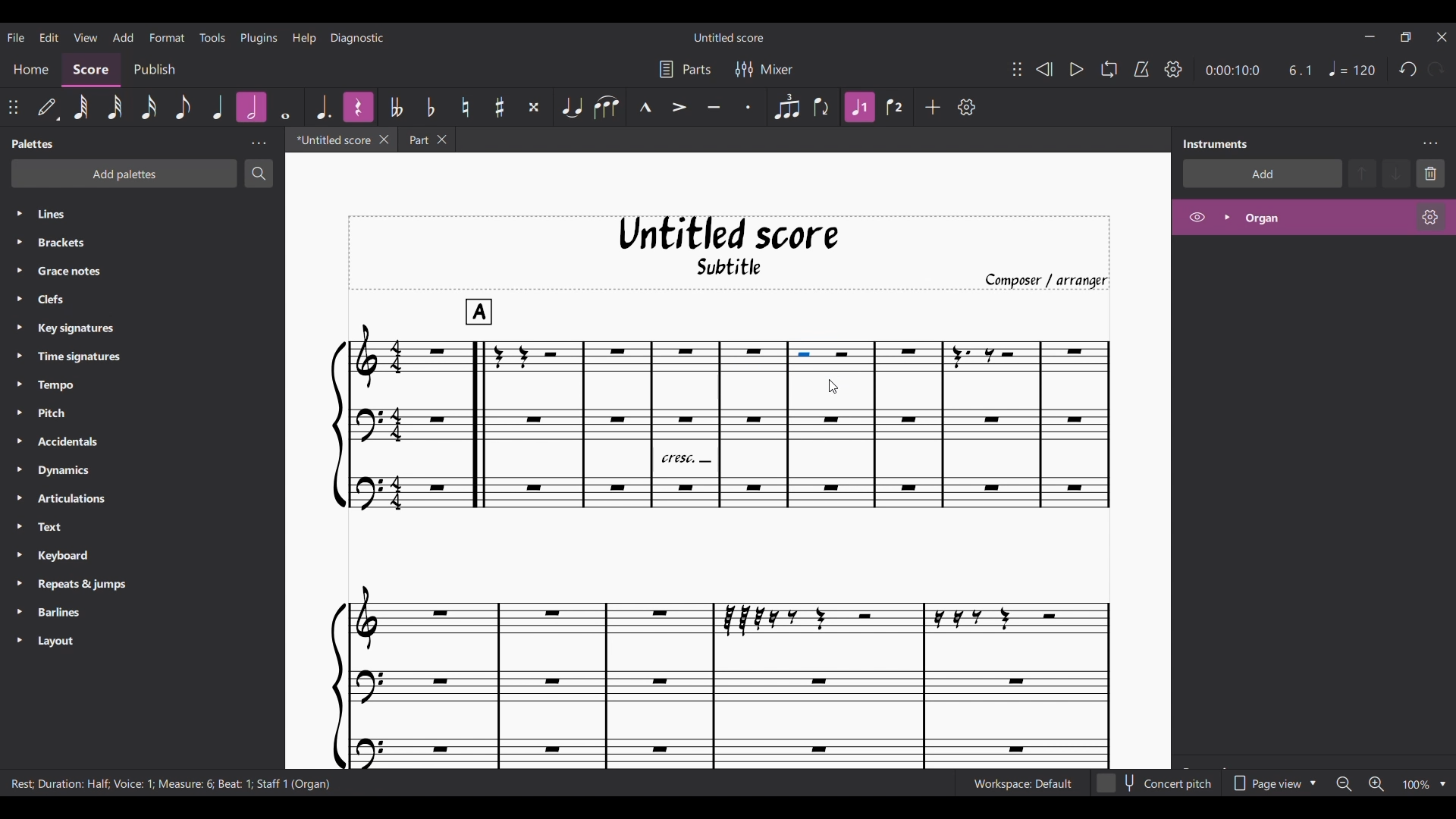  Describe the element at coordinates (645, 108) in the screenshot. I see `Marcato` at that location.